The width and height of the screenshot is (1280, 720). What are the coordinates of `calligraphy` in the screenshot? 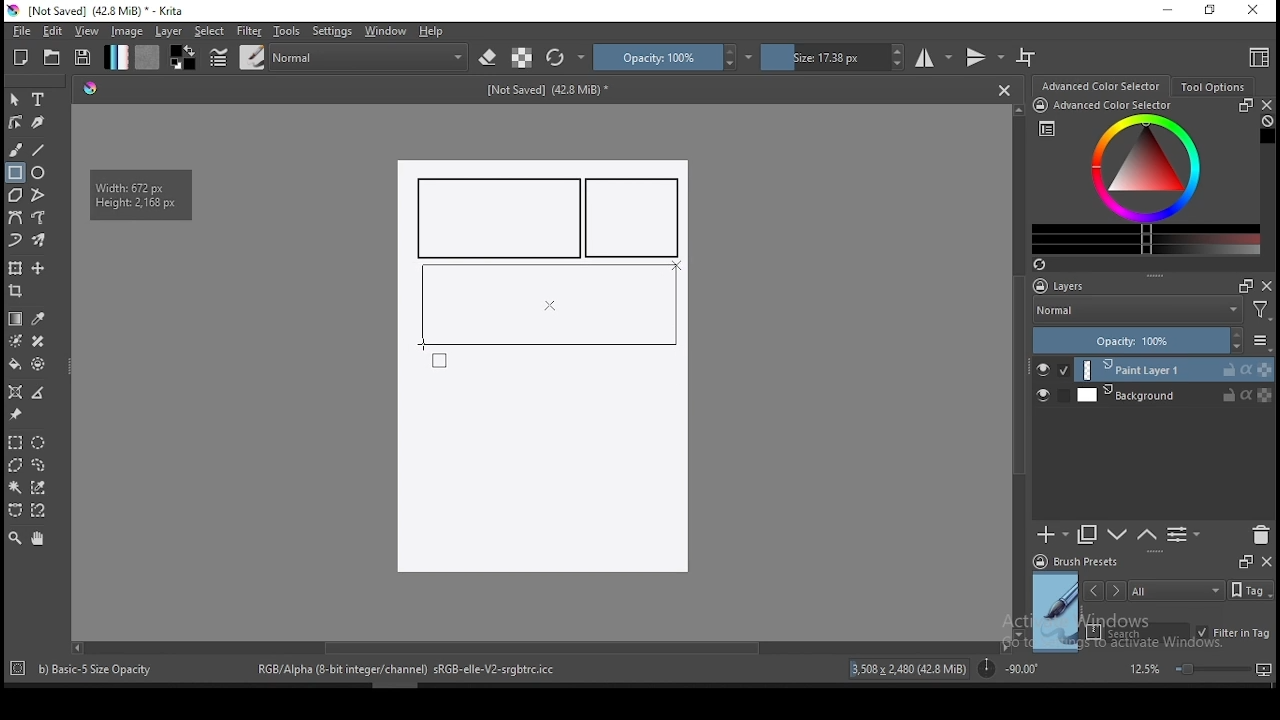 It's located at (39, 121).